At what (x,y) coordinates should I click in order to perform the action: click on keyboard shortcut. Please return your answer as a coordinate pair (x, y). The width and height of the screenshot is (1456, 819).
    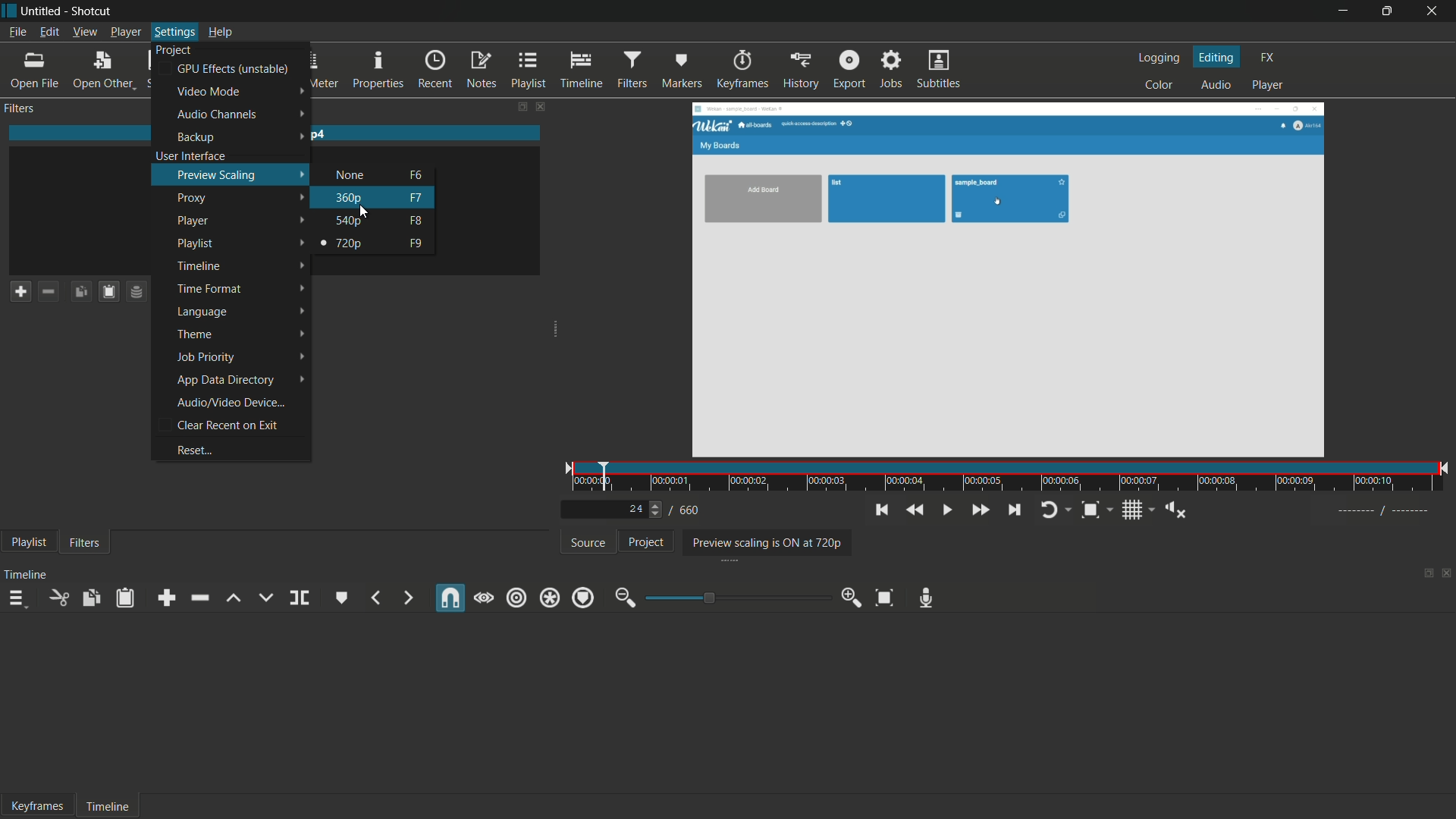
    Looking at the image, I should click on (417, 198).